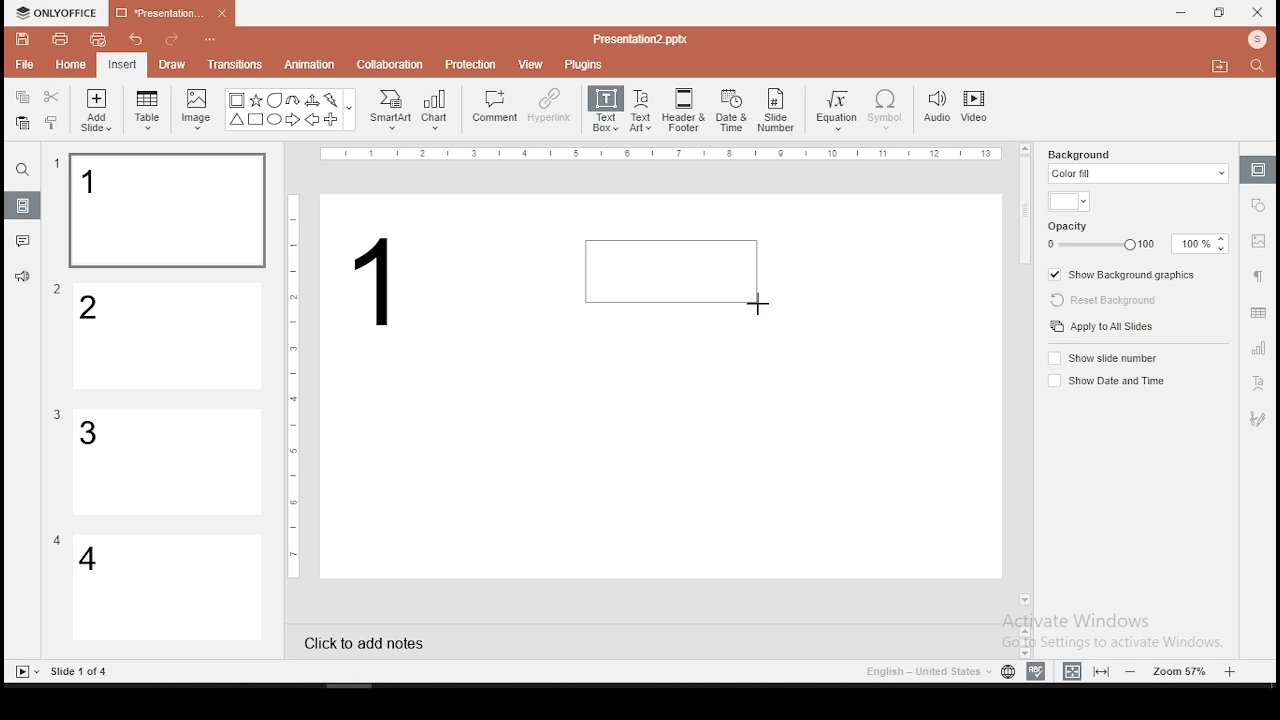 Image resolution: width=1280 pixels, height=720 pixels. Describe the element at coordinates (388, 290) in the screenshot. I see `text` at that location.